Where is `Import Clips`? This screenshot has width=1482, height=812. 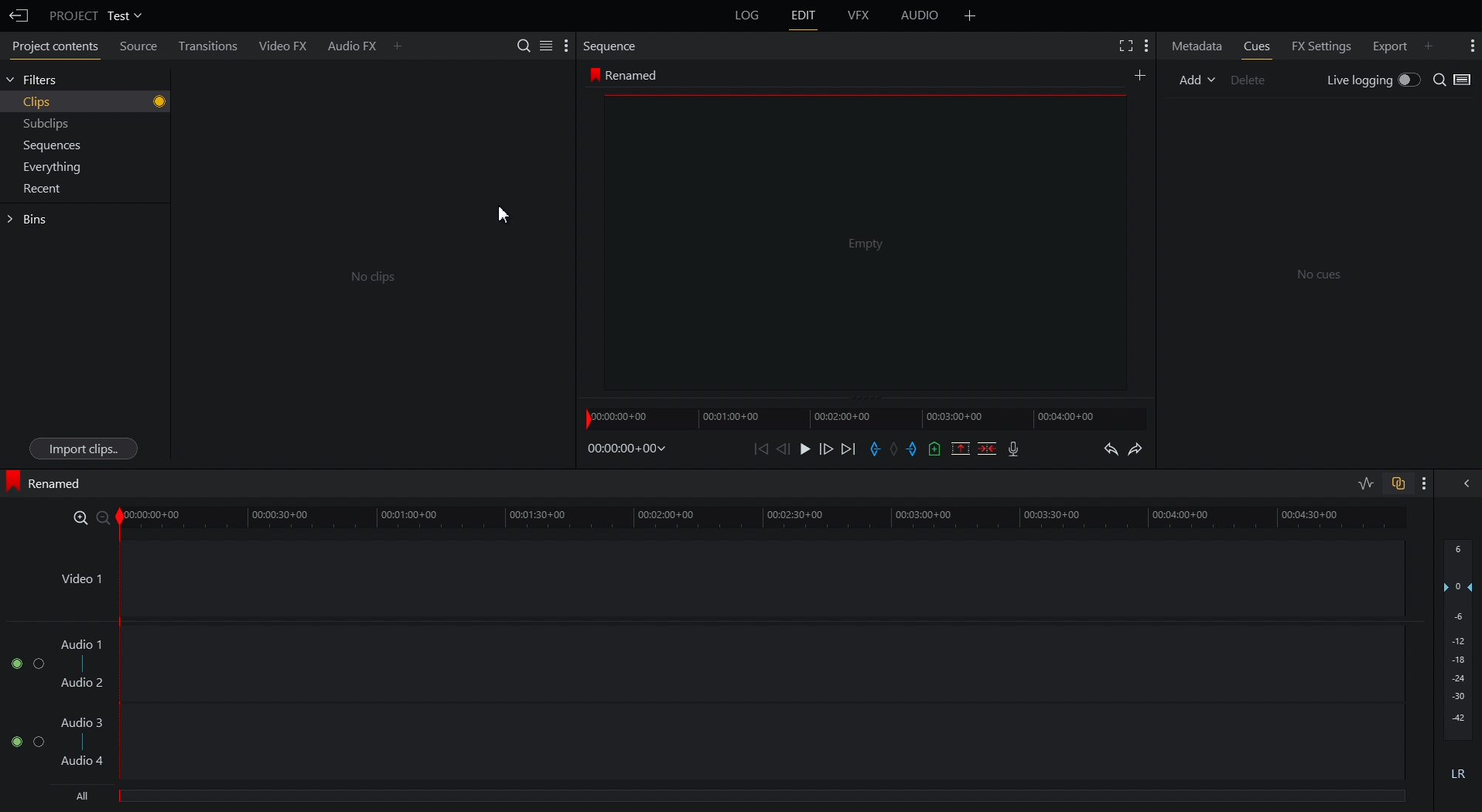
Import Clips is located at coordinates (83, 449).